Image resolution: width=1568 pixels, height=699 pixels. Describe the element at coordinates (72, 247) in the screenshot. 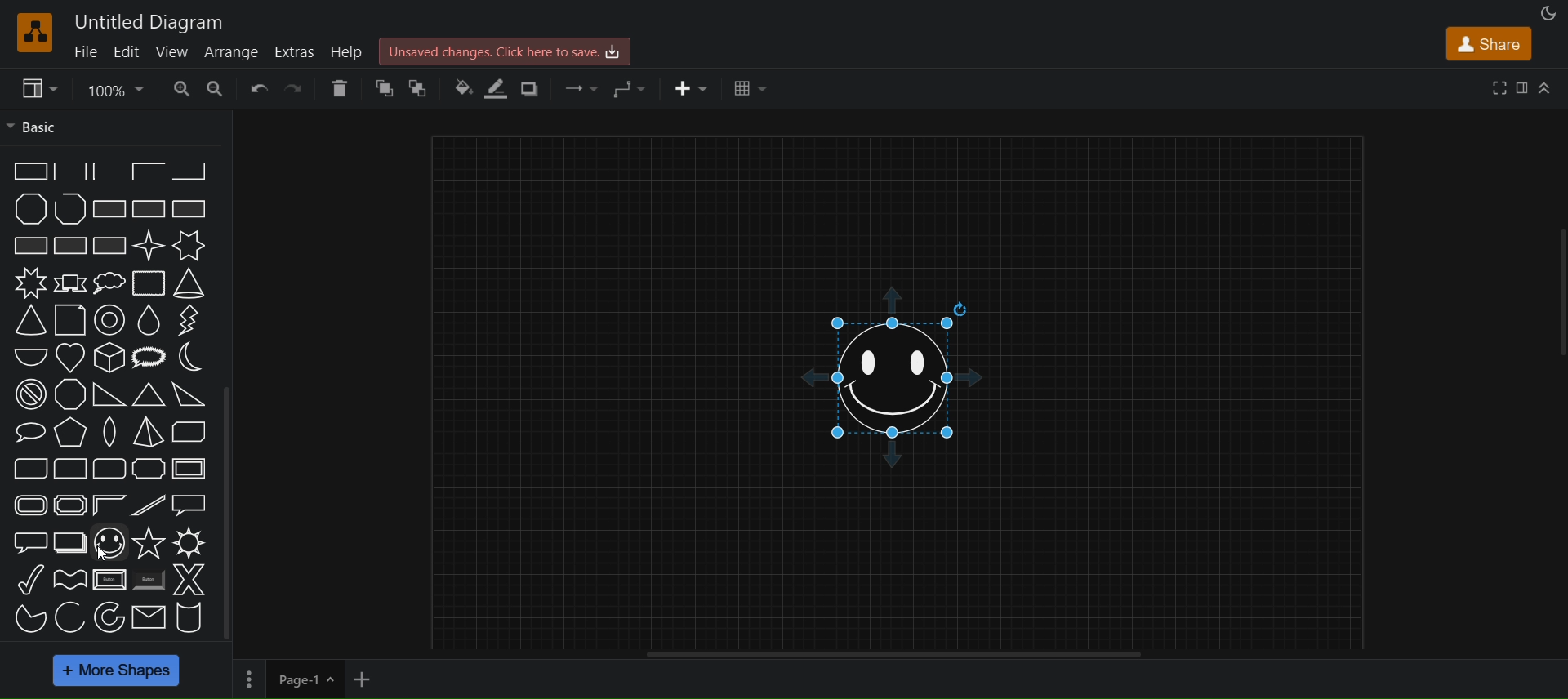

I see `rectangle with grid fill` at that location.